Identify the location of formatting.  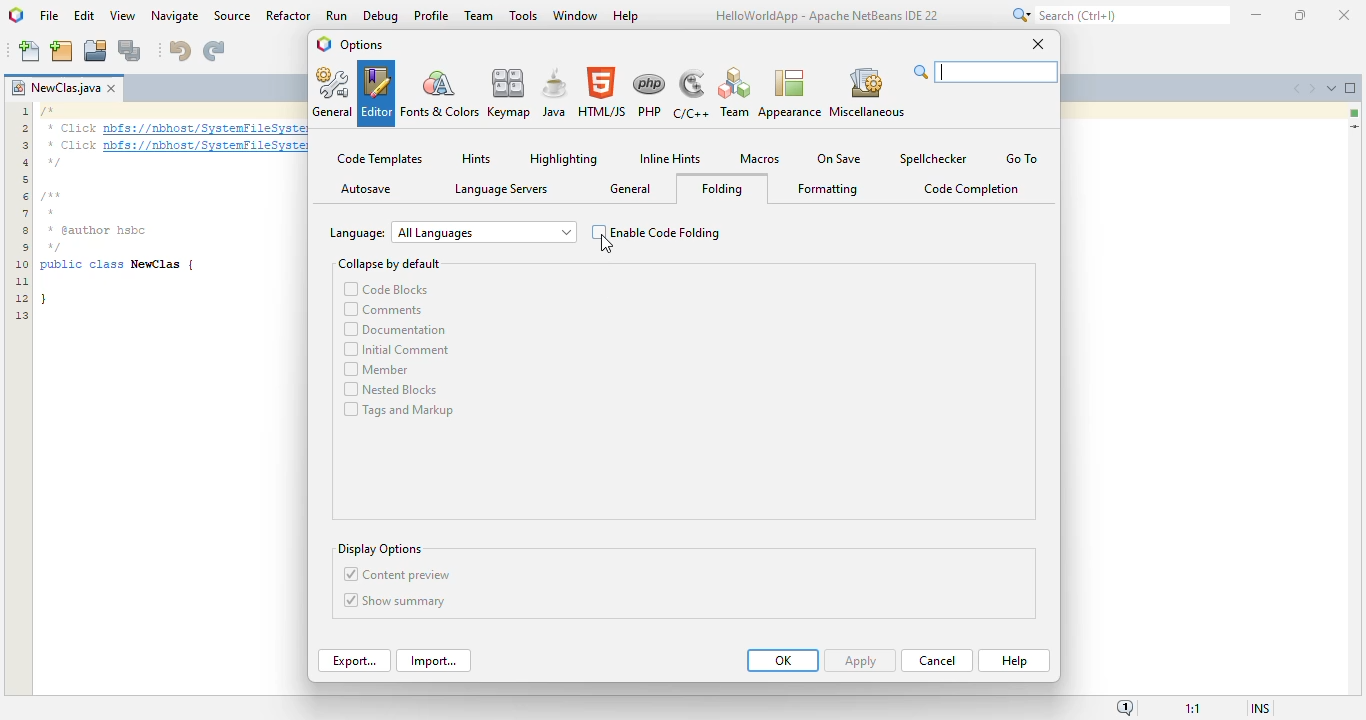
(829, 189).